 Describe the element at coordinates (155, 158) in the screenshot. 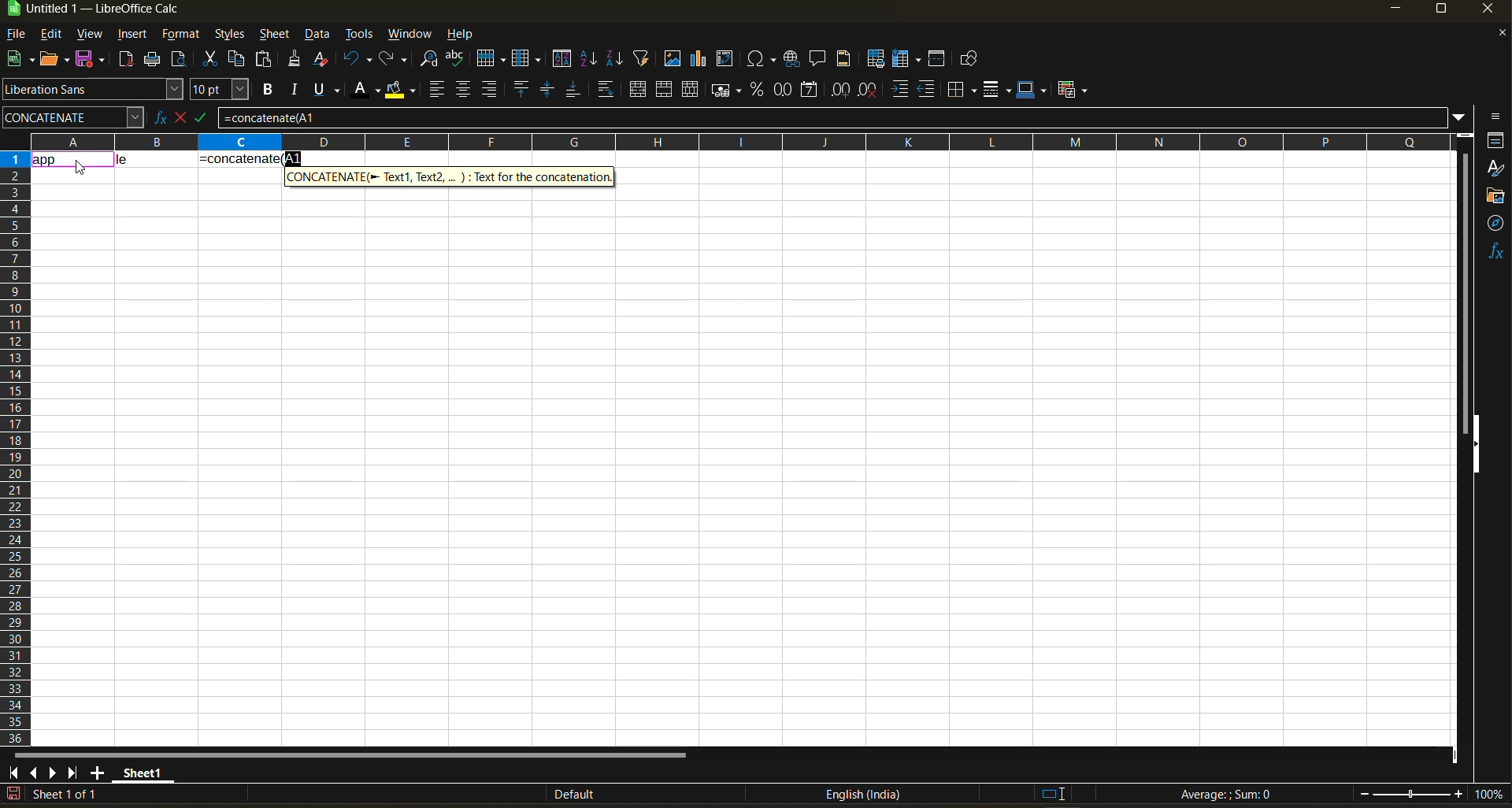

I see `data` at that location.